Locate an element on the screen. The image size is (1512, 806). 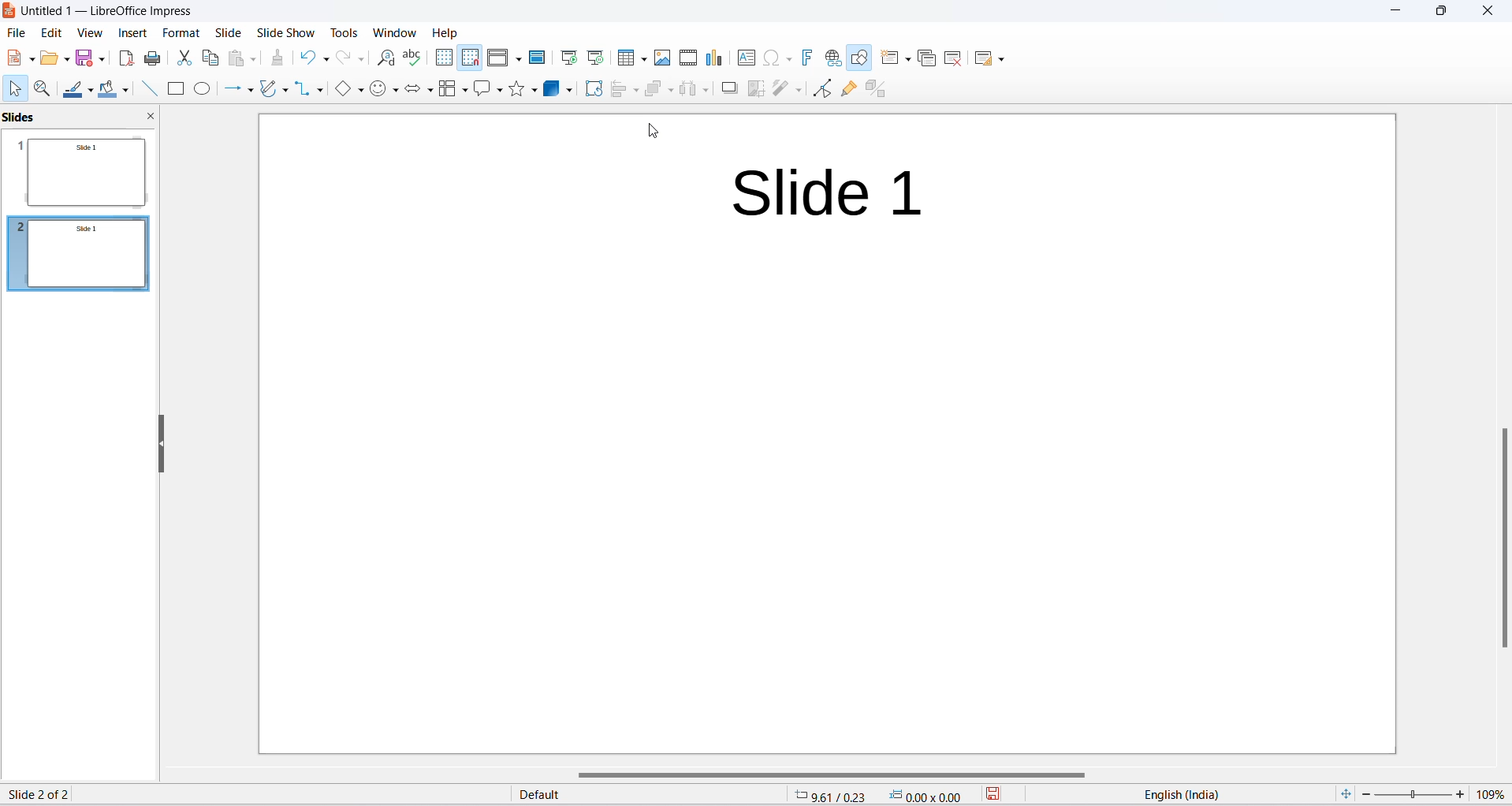
Line and arrows is located at coordinates (236, 91).